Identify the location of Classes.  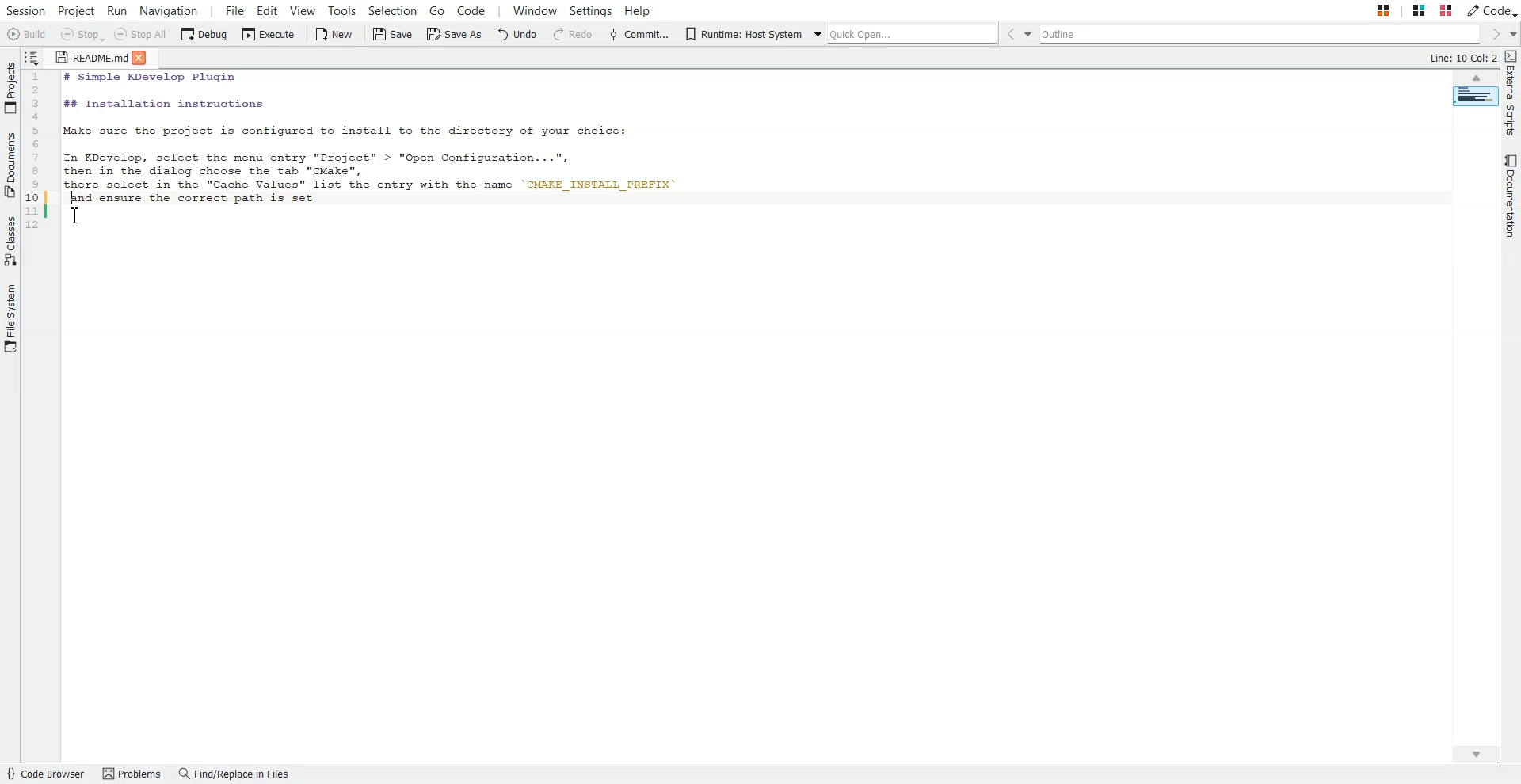
(10, 242).